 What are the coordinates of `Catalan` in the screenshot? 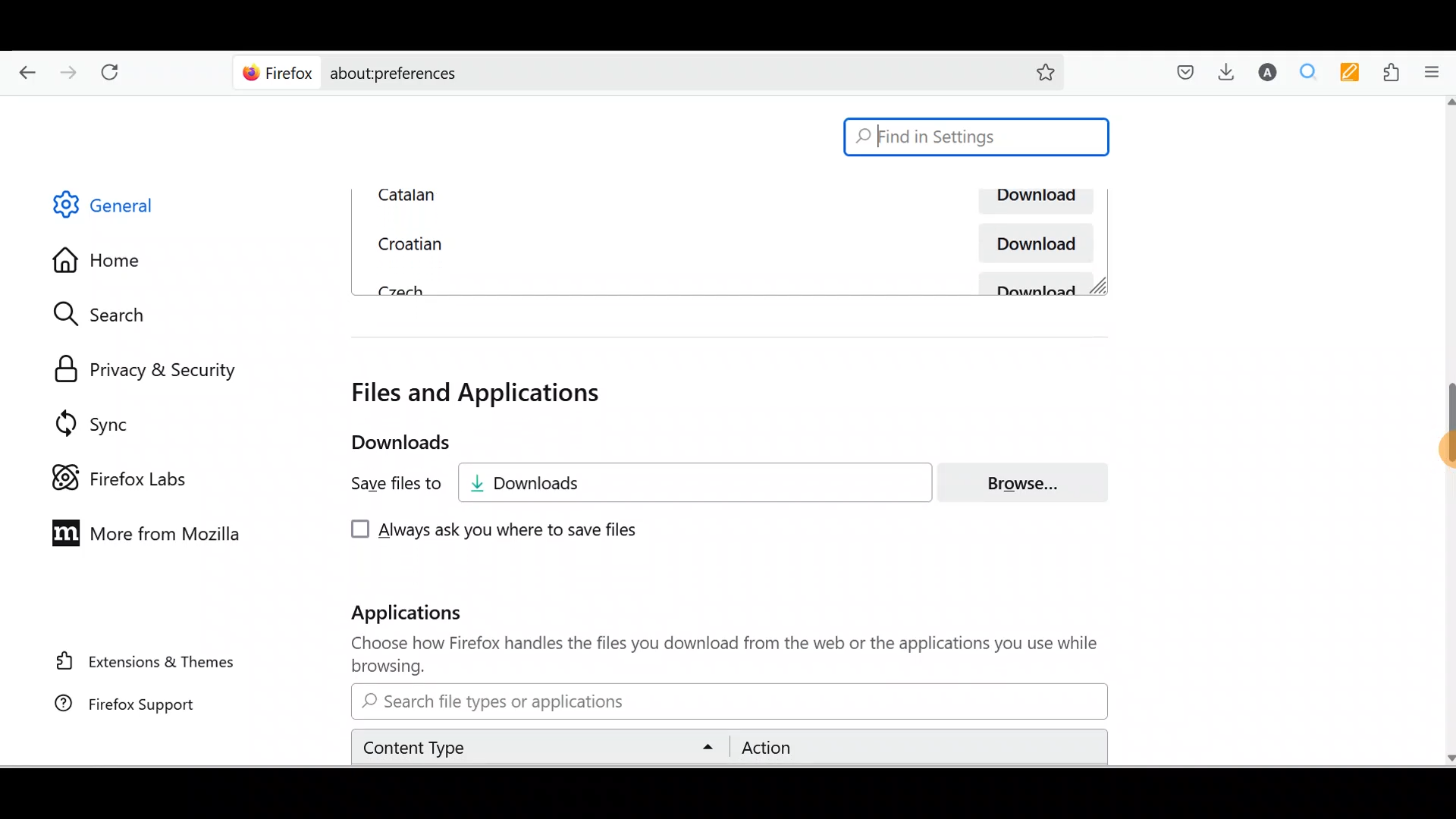 It's located at (535, 195).